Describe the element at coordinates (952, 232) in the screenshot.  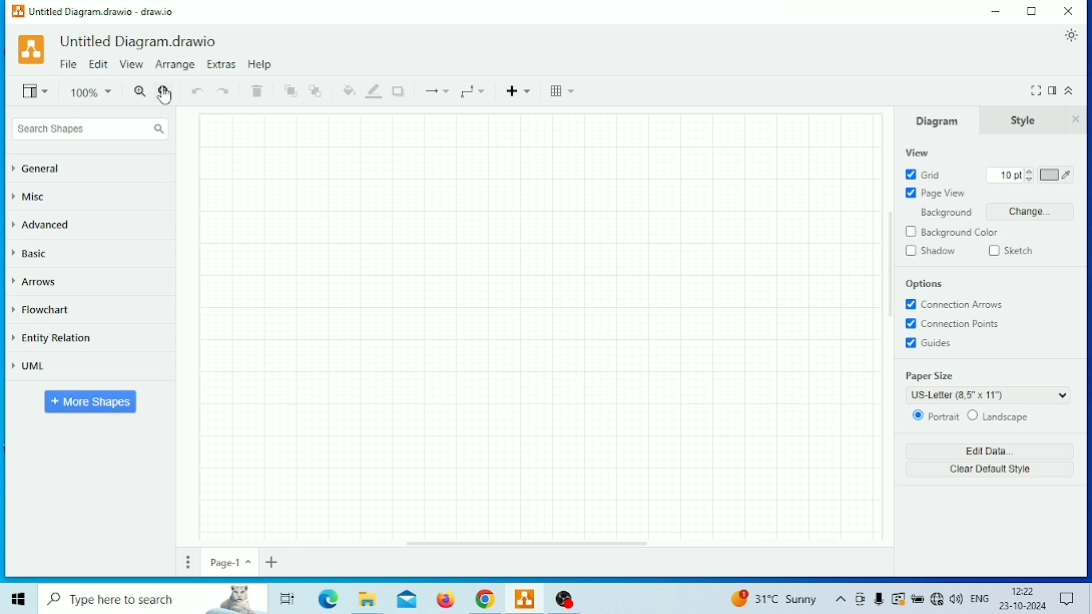
I see `Background Color` at that location.